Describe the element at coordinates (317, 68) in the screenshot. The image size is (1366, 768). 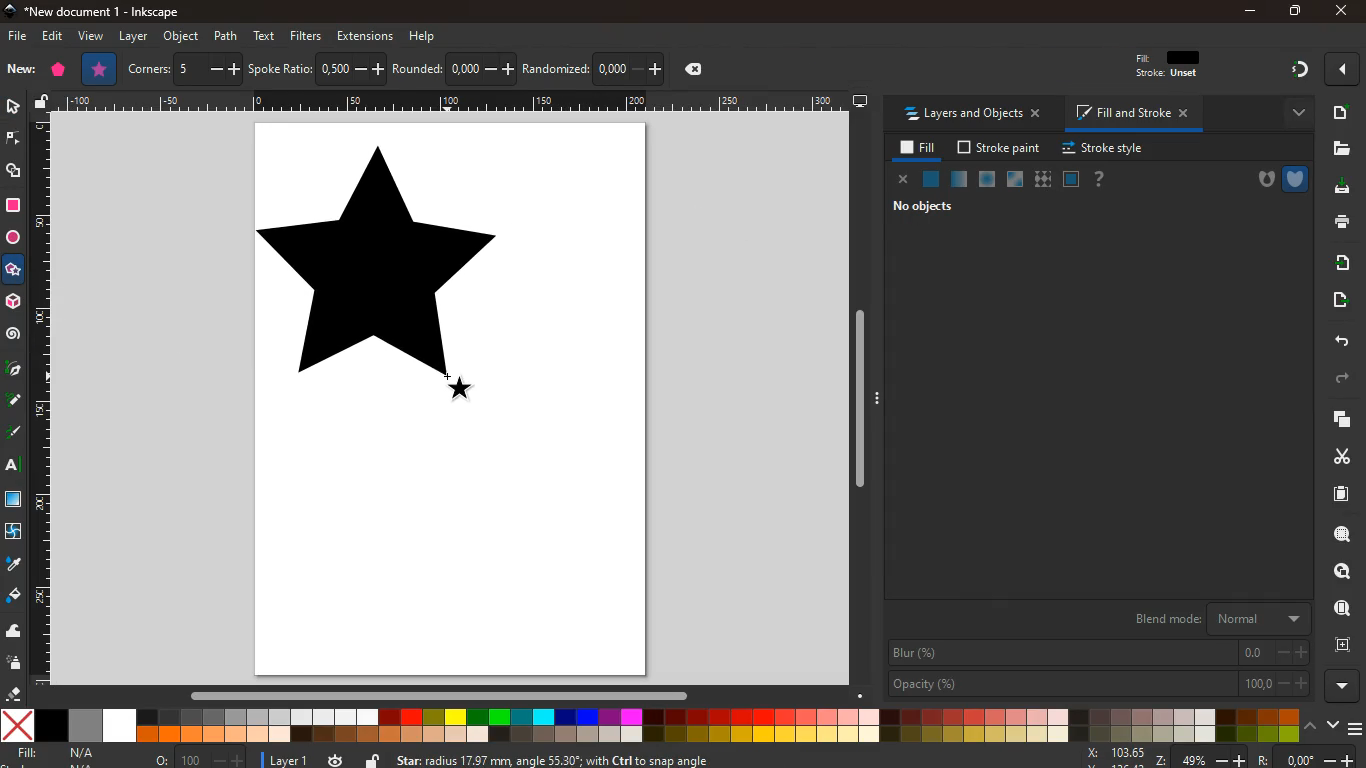
I see `spoke ratio` at that location.